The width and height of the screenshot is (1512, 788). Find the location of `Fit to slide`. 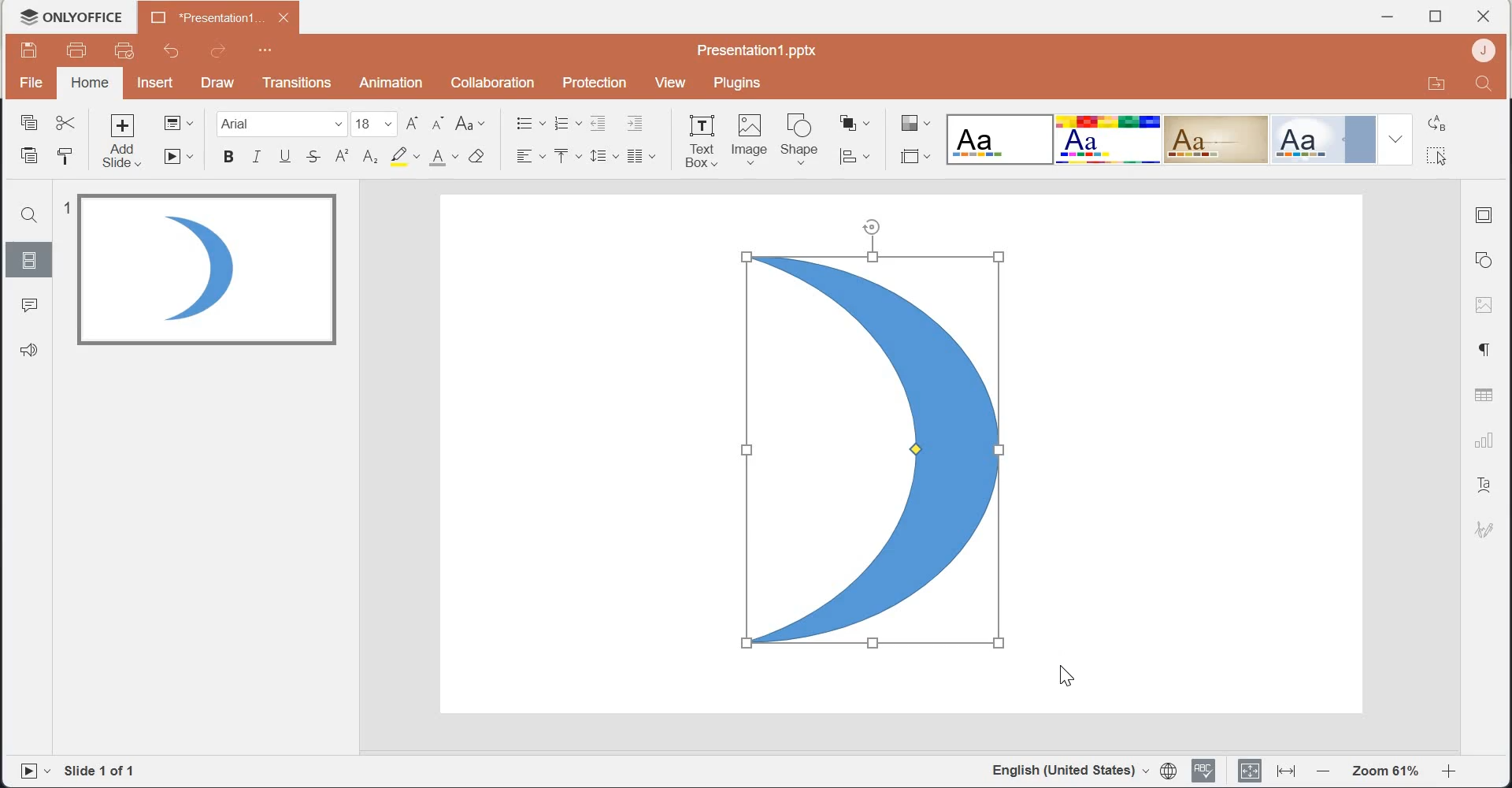

Fit to slide is located at coordinates (1248, 772).